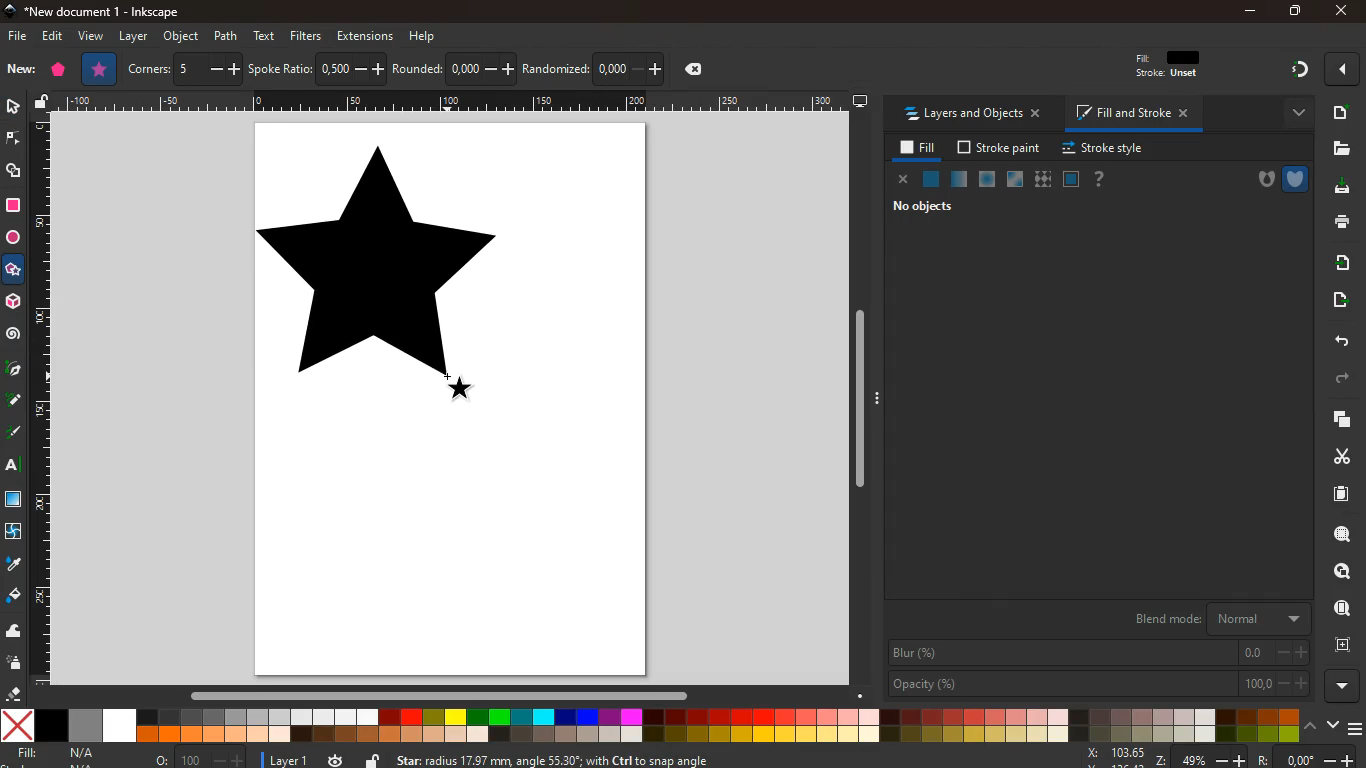  What do you see at coordinates (102, 12) in the screenshot?
I see `*New document 1 - inkscape` at bounding box center [102, 12].